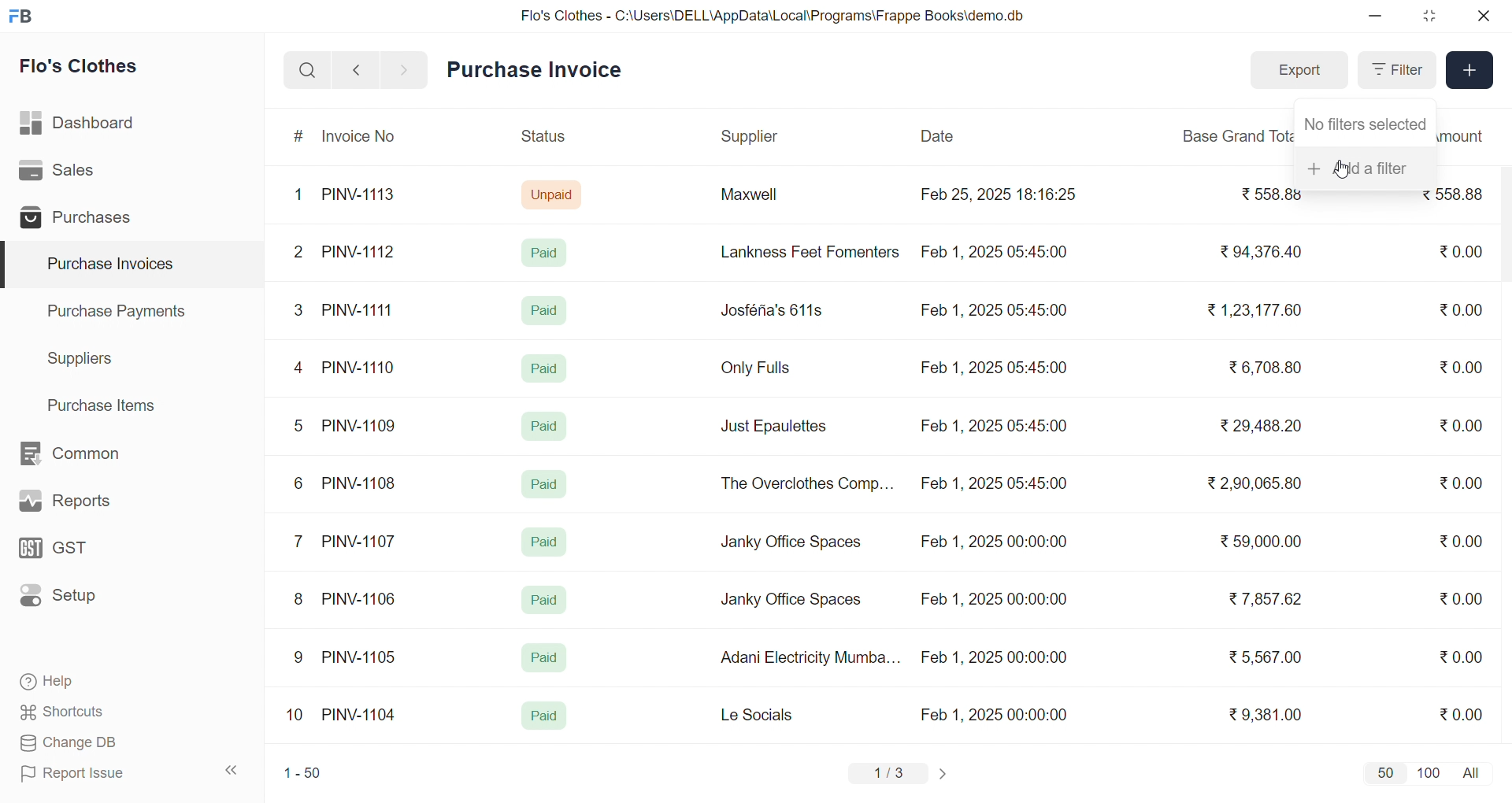  What do you see at coordinates (1457, 200) in the screenshot?
I see `₹558.88` at bounding box center [1457, 200].